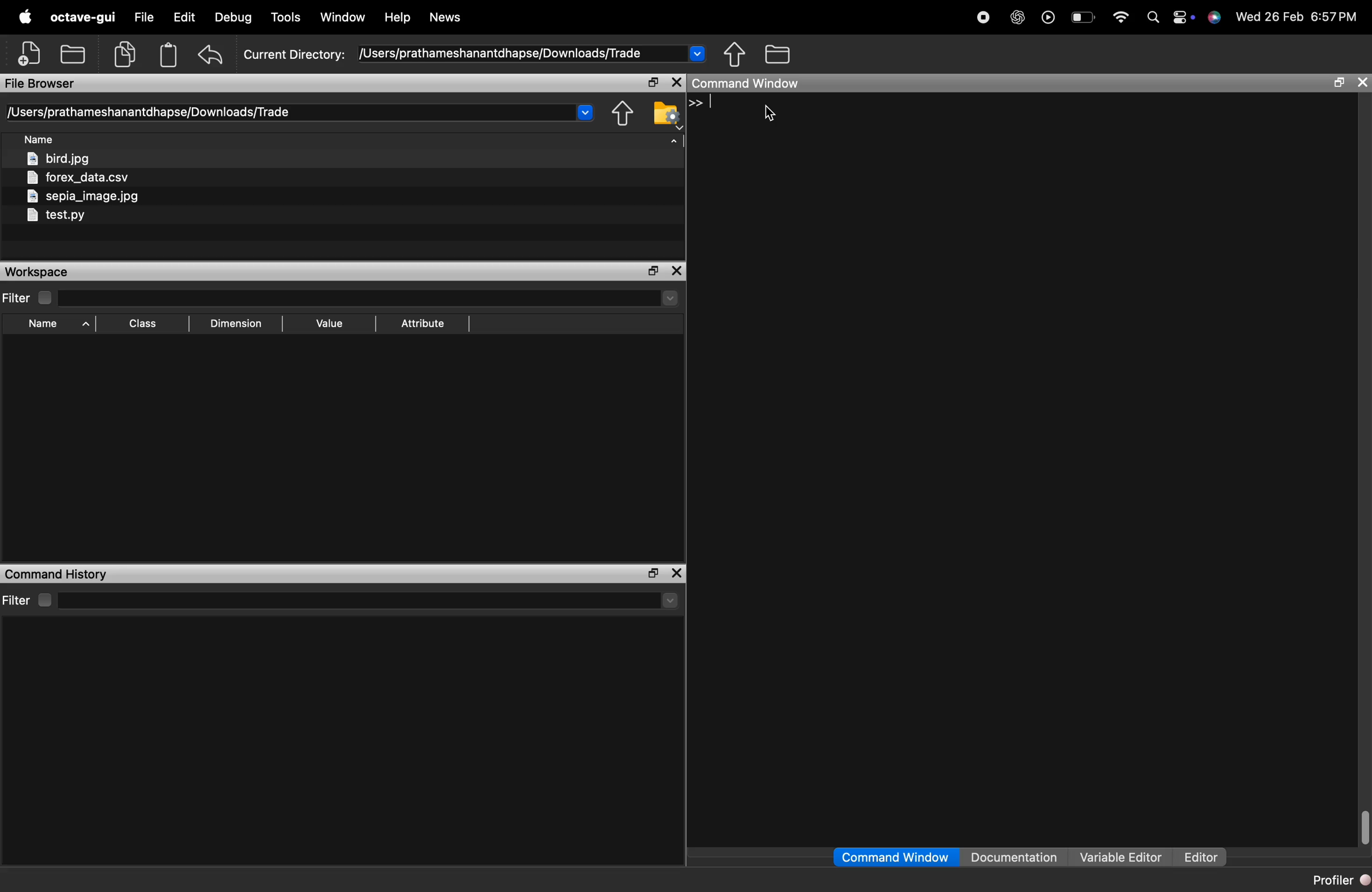  I want to click on record, so click(985, 17).